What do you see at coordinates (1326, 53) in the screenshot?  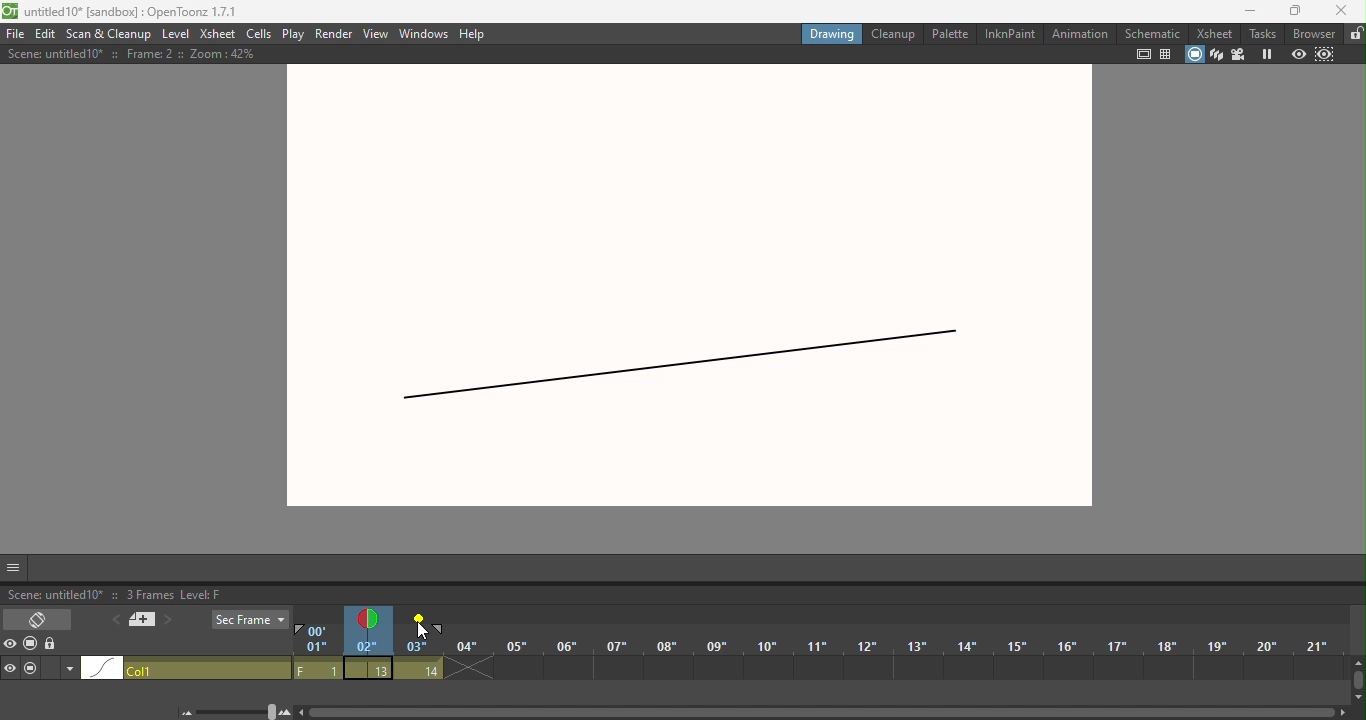 I see `sub-camera preview` at bounding box center [1326, 53].